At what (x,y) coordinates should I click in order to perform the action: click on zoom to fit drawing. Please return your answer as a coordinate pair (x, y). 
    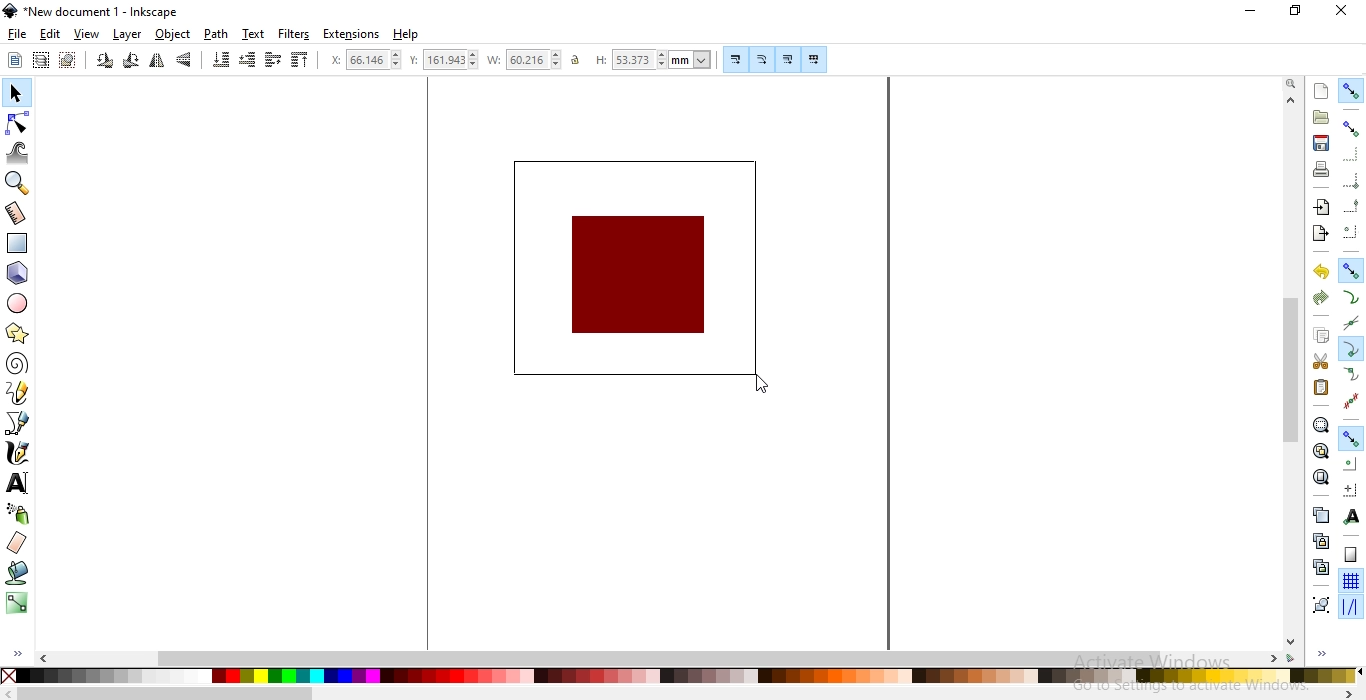
    Looking at the image, I should click on (1319, 451).